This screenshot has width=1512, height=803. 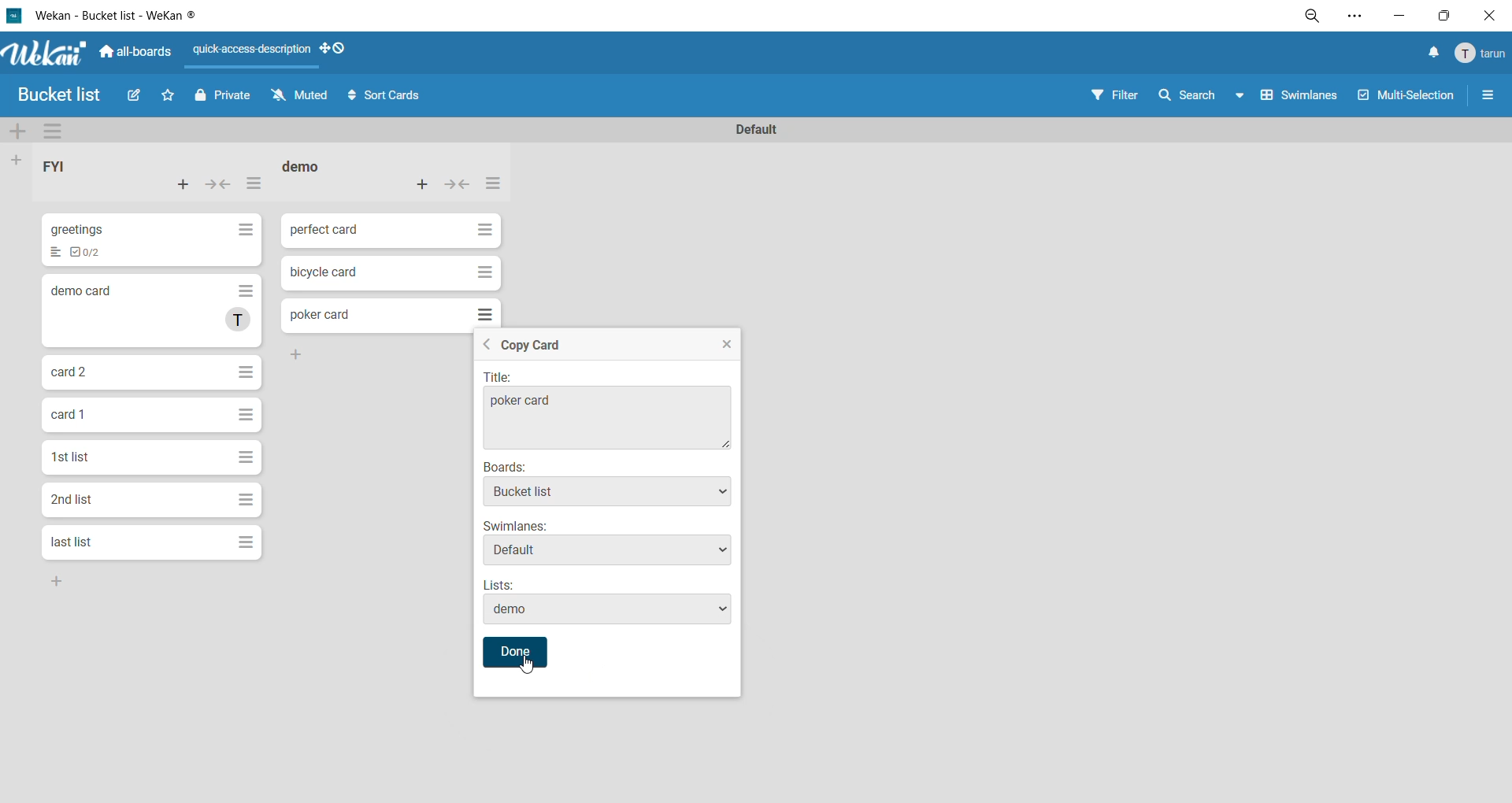 What do you see at coordinates (20, 134) in the screenshot?
I see `add swimlane` at bounding box center [20, 134].